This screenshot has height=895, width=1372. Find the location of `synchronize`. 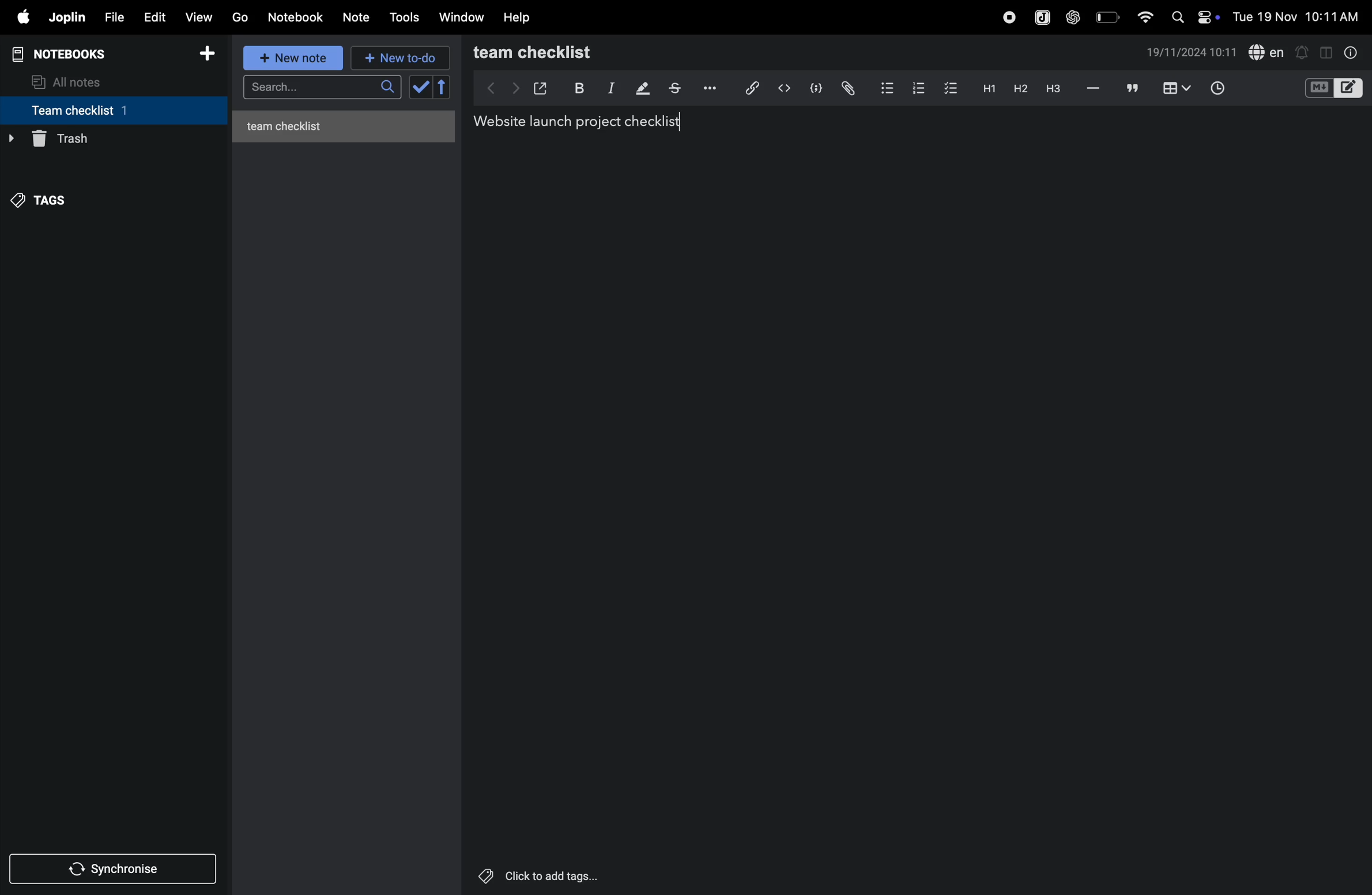

synchronize is located at coordinates (115, 868).